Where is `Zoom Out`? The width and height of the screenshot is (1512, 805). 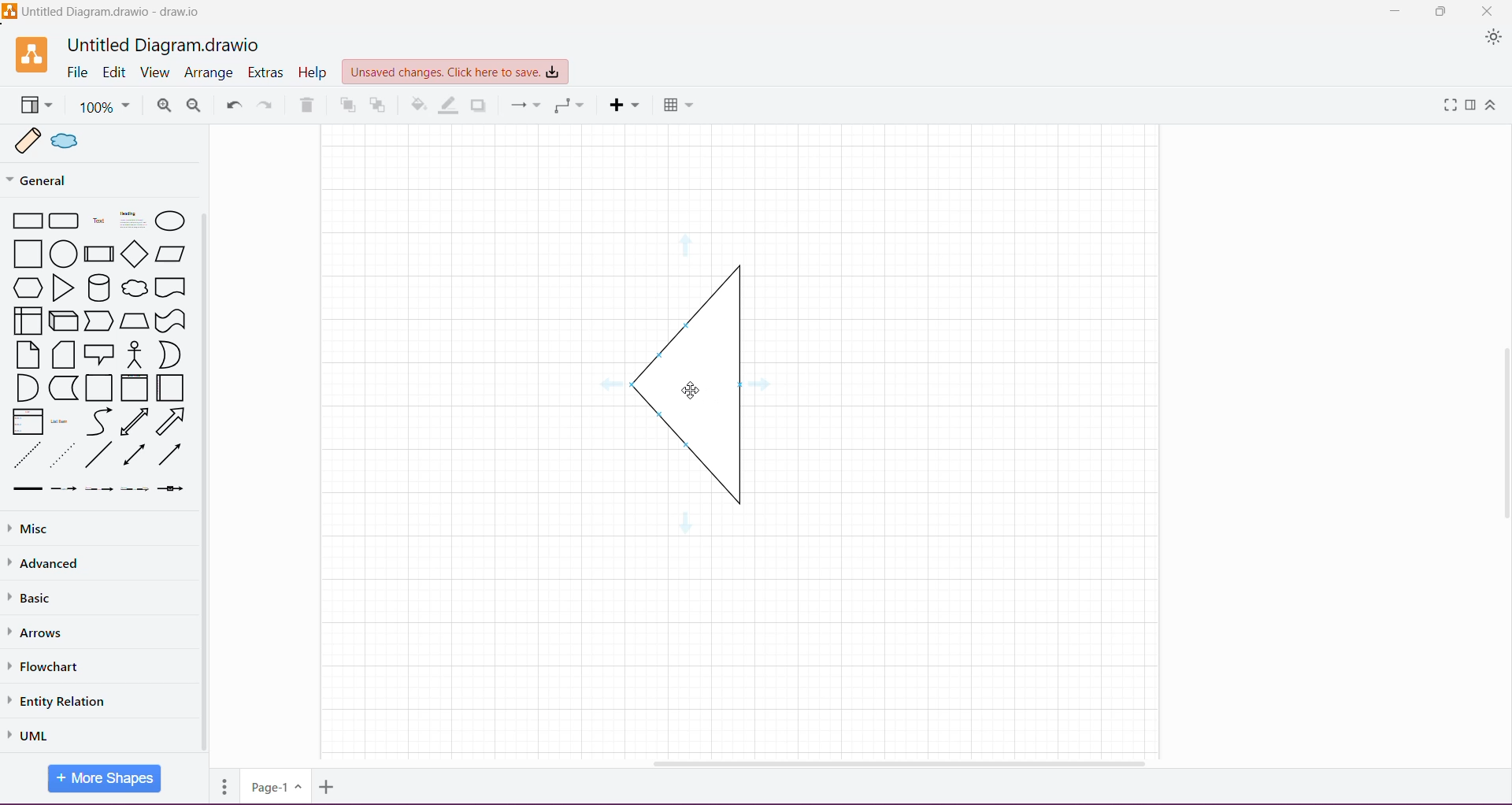 Zoom Out is located at coordinates (191, 106).